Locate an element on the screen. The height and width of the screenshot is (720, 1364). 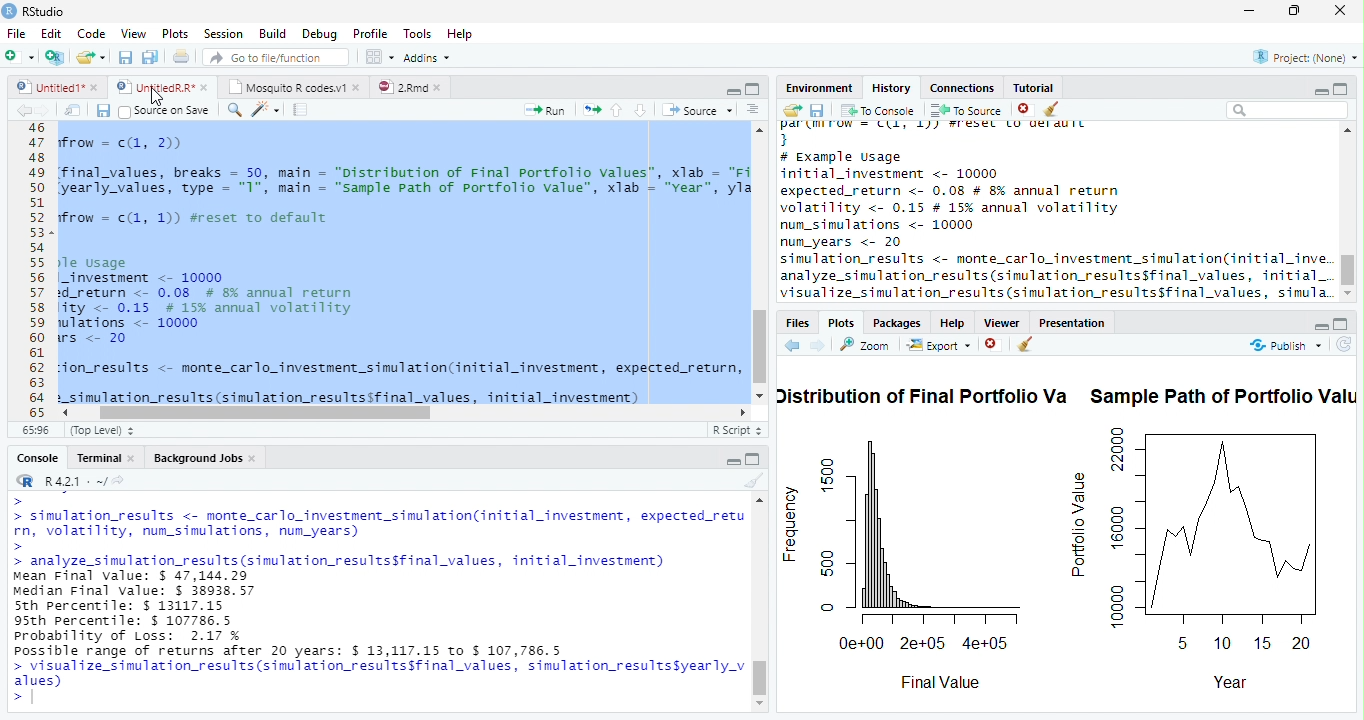
Debug is located at coordinates (318, 34).